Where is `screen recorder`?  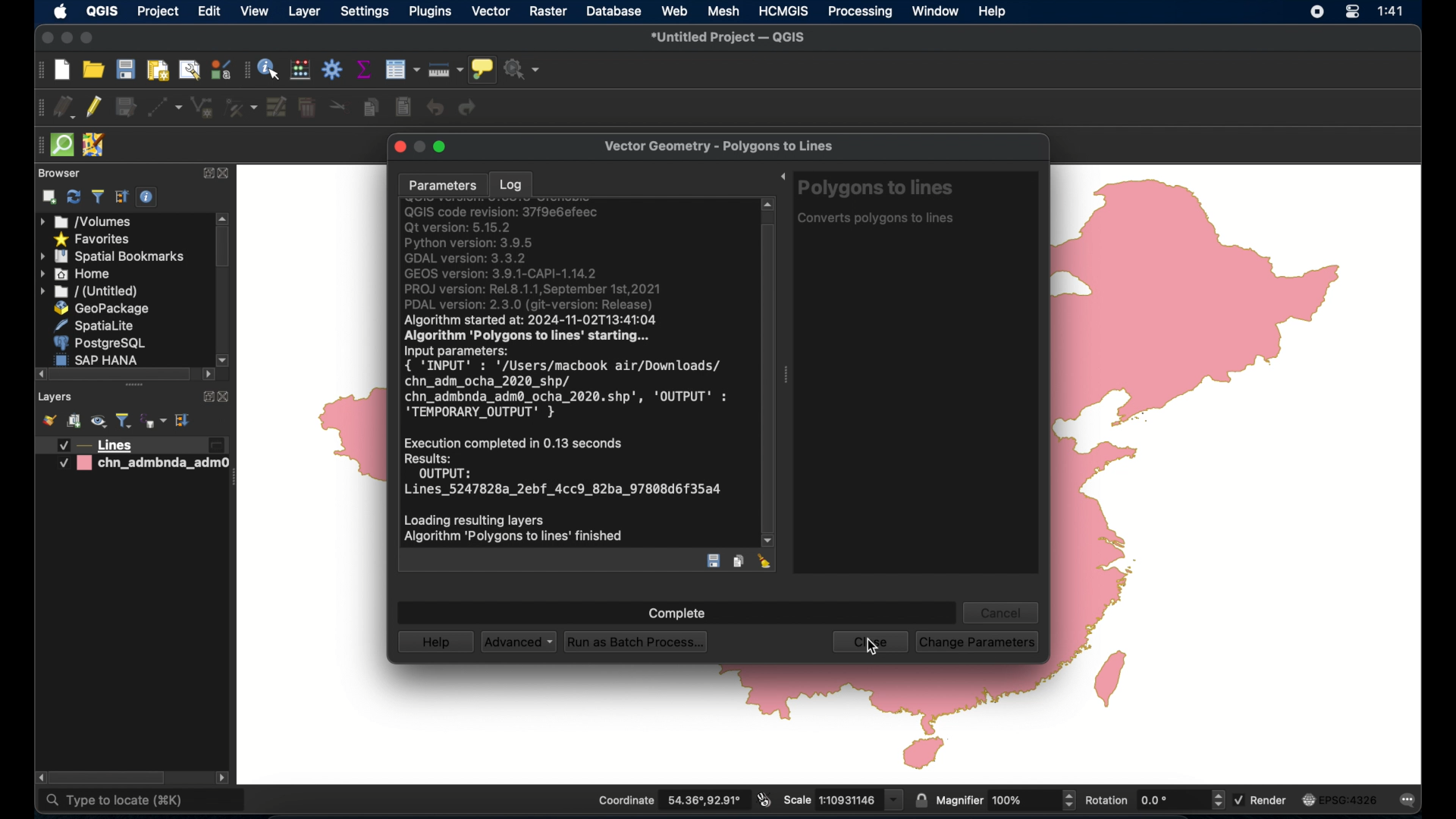
screen recorder is located at coordinates (1316, 13).